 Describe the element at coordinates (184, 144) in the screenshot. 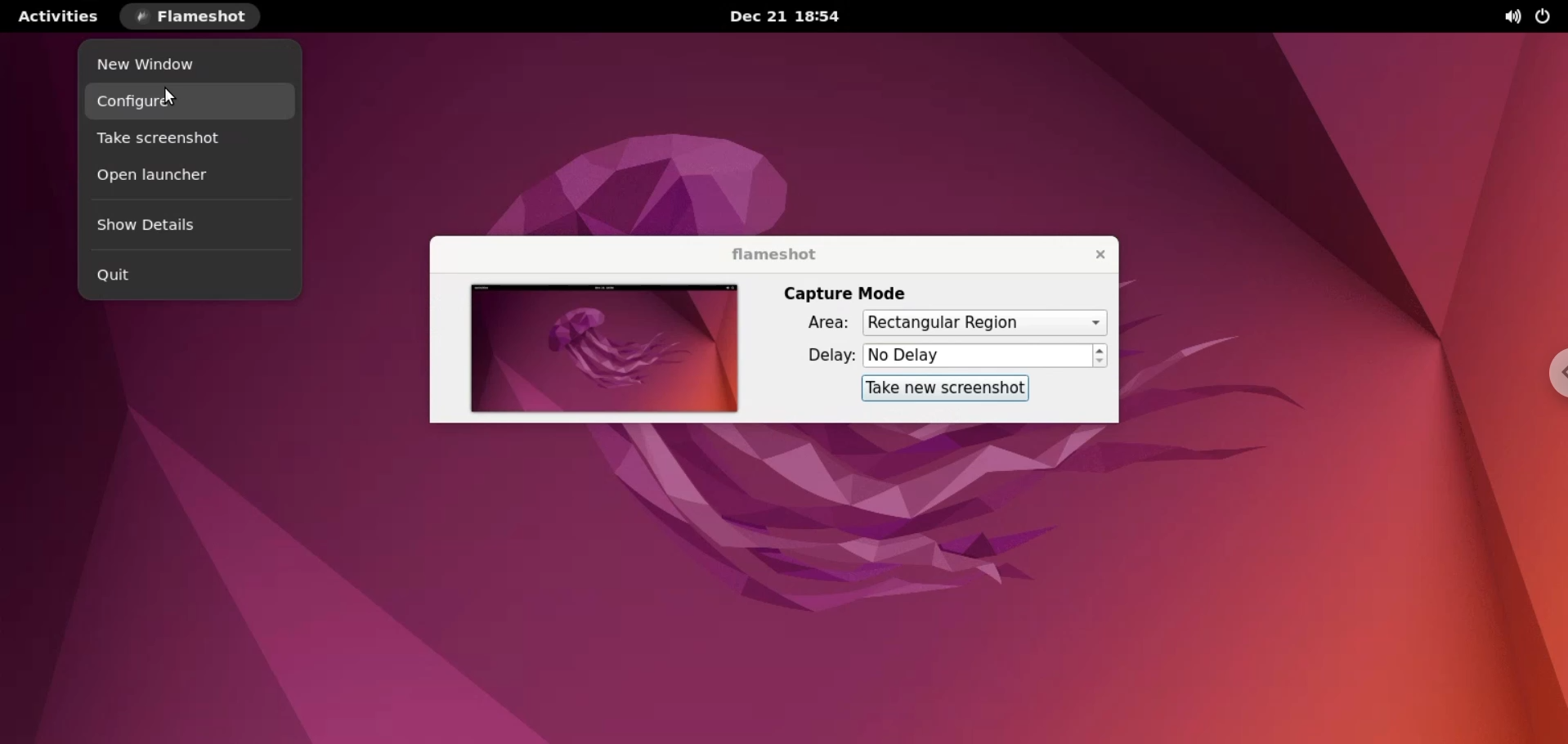

I see `take screenshot` at that location.